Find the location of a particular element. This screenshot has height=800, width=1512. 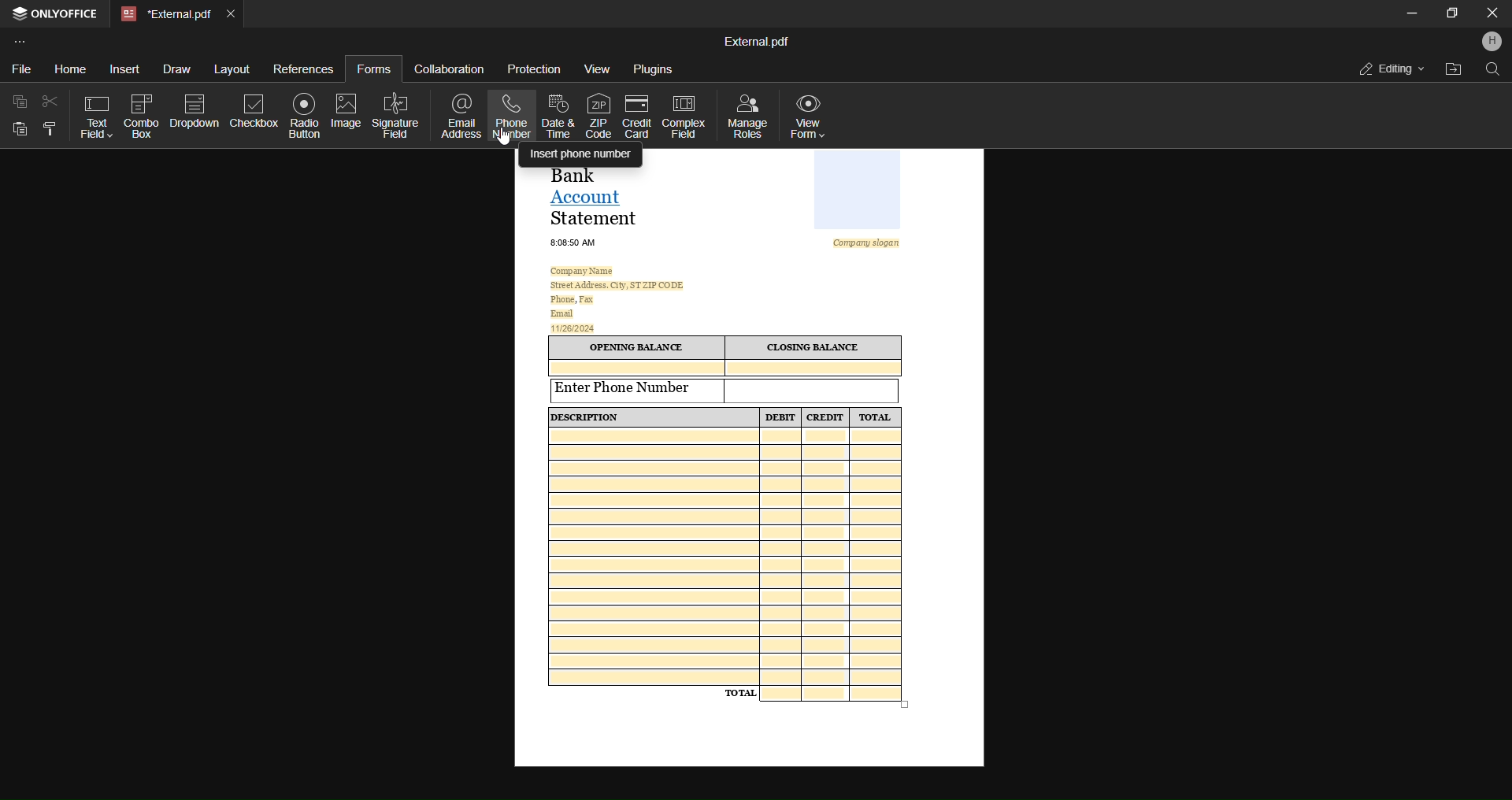

open file location is located at coordinates (1453, 69).